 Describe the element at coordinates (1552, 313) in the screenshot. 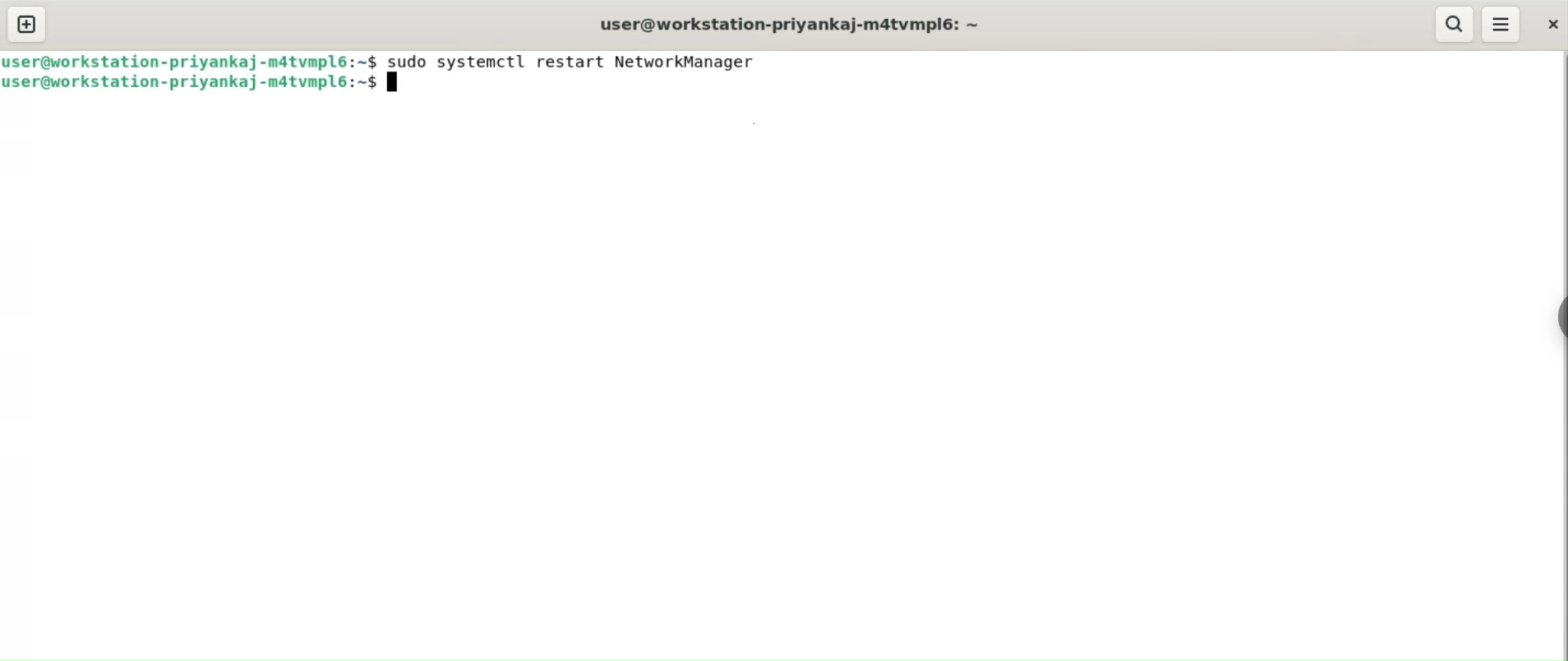

I see `Toggle button` at that location.